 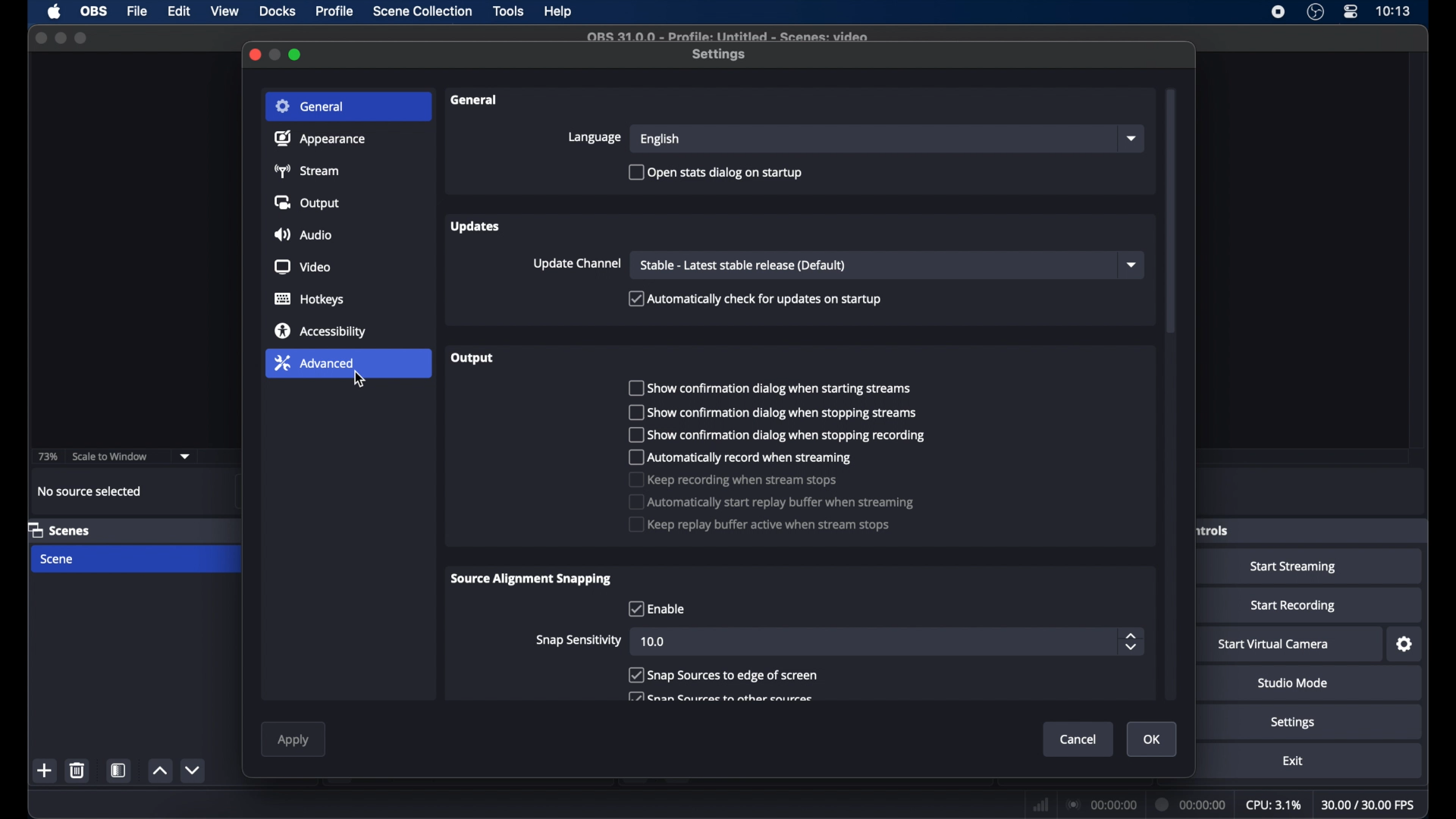 What do you see at coordinates (720, 55) in the screenshot?
I see `settings` at bounding box center [720, 55].